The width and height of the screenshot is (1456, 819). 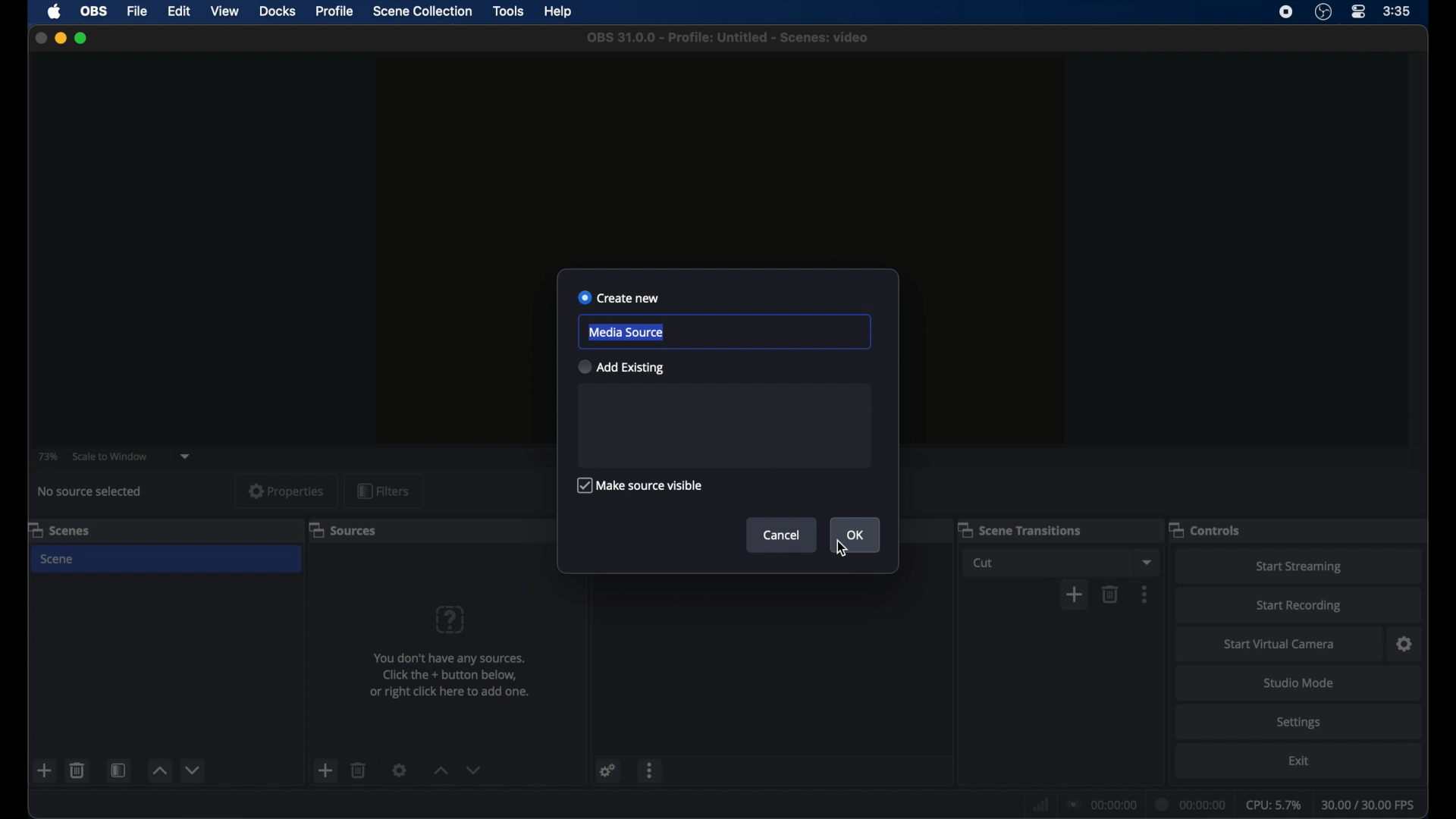 What do you see at coordinates (226, 12) in the screenshot?
I see `view` at bounding box center [226, 12].